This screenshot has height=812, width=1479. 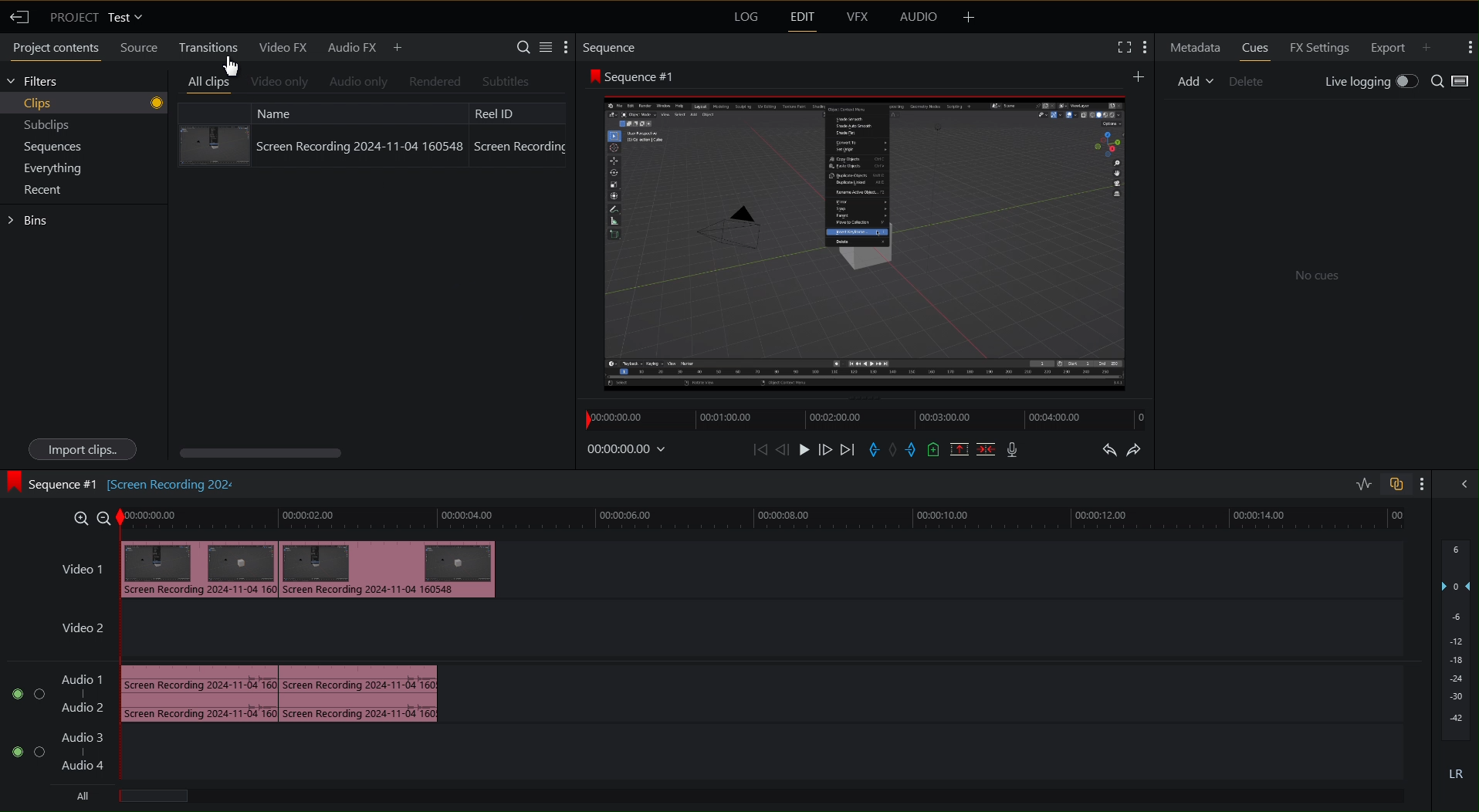 What do you see at coordinates (208, 47) in the screenshot?
I see `Transitions` at bounding box center [208, 47].